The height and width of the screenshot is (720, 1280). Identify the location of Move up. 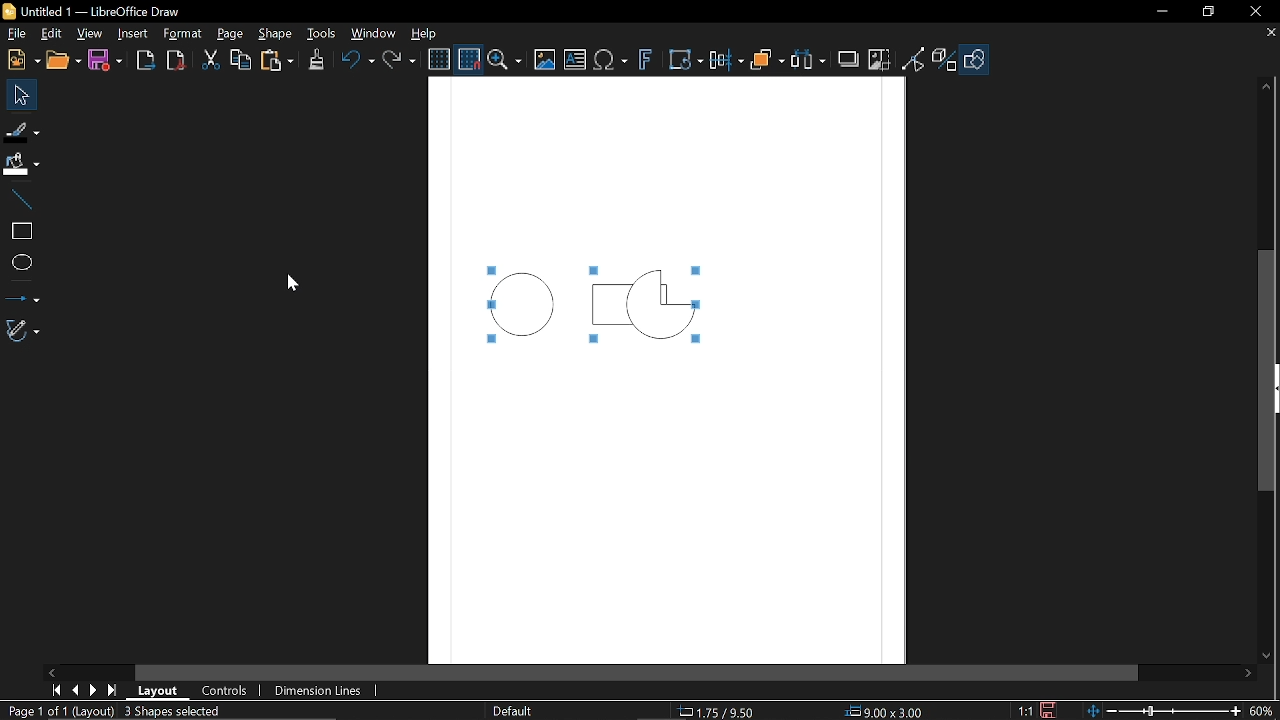
(1268, 84).